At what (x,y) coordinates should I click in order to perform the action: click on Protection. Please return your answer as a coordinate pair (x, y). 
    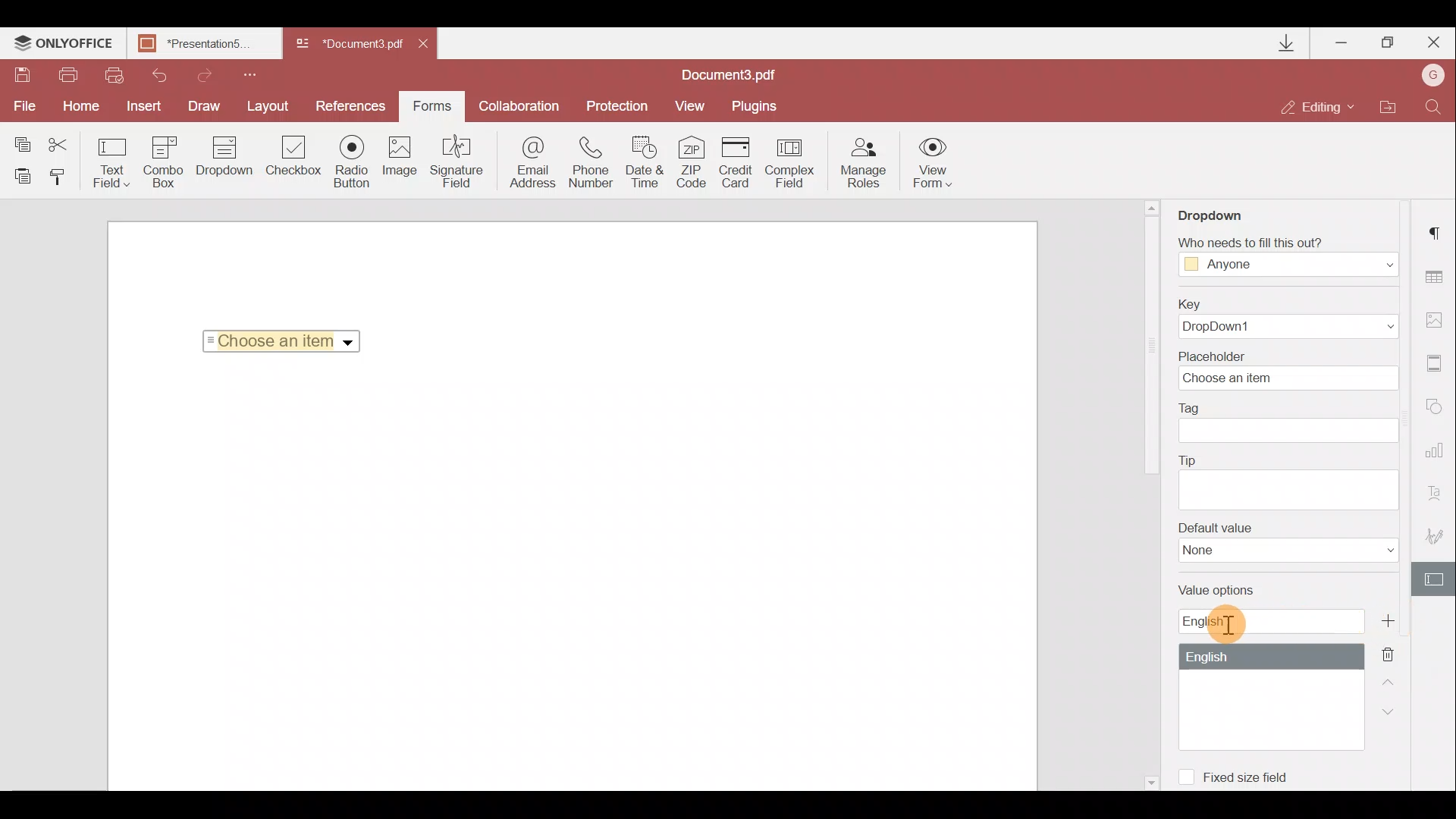
    Looking at the image, I should click on (615, 105).